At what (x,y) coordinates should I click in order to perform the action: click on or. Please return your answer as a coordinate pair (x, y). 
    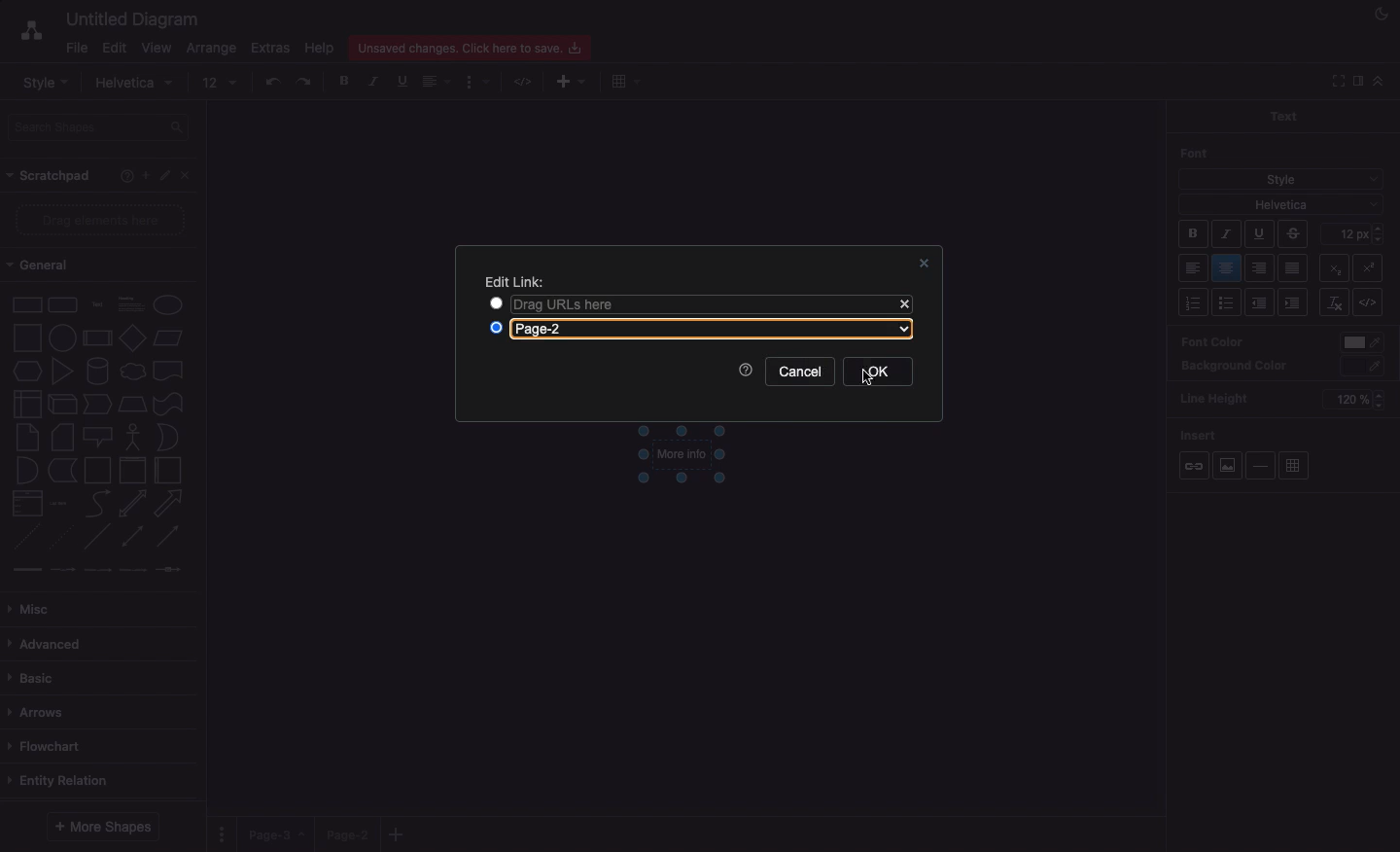
    Looking at the image, I should click on (168, 437).